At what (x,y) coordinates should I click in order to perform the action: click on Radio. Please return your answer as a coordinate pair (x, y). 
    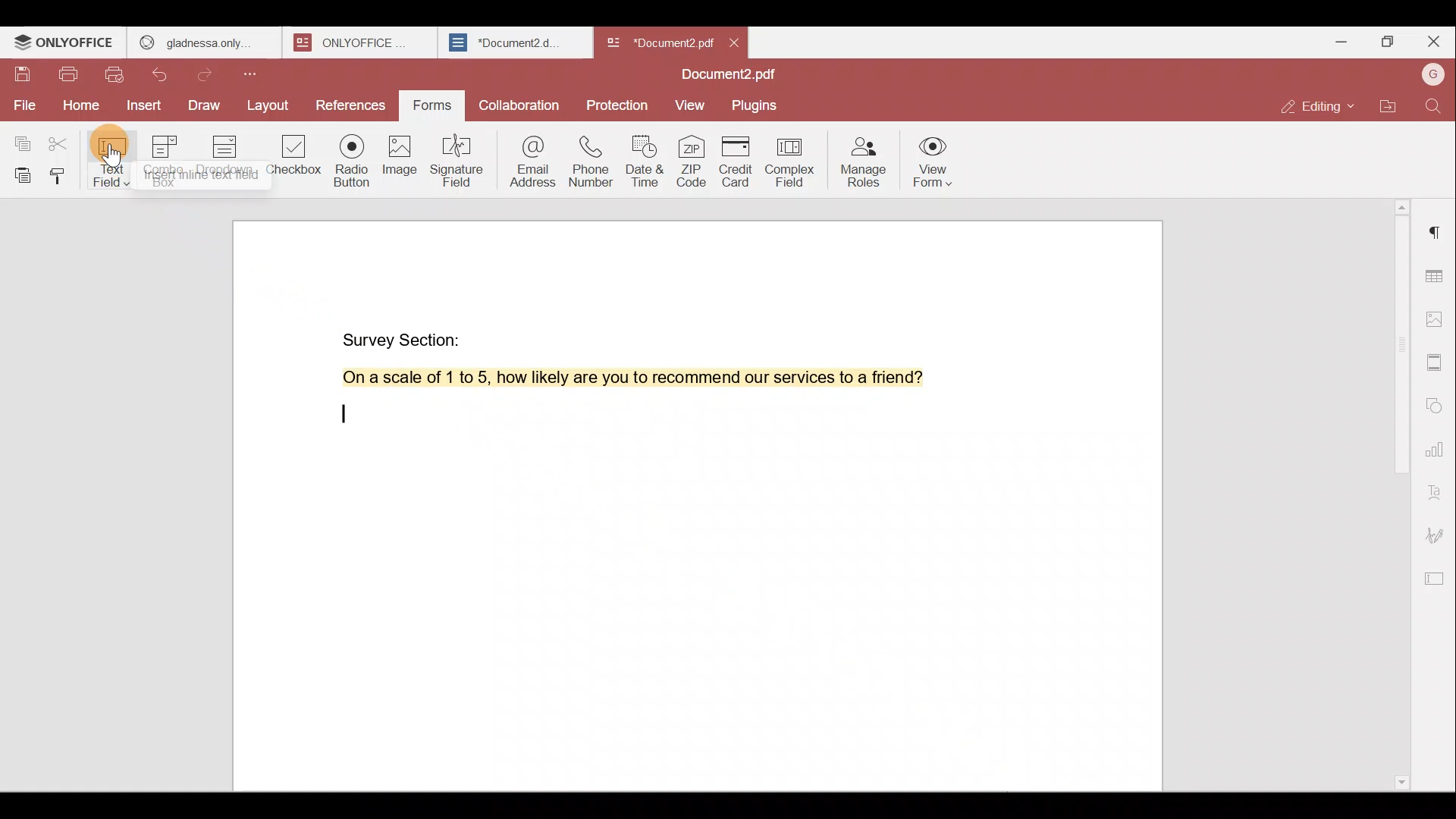
    Looking at the image, I should click on (353, 163).